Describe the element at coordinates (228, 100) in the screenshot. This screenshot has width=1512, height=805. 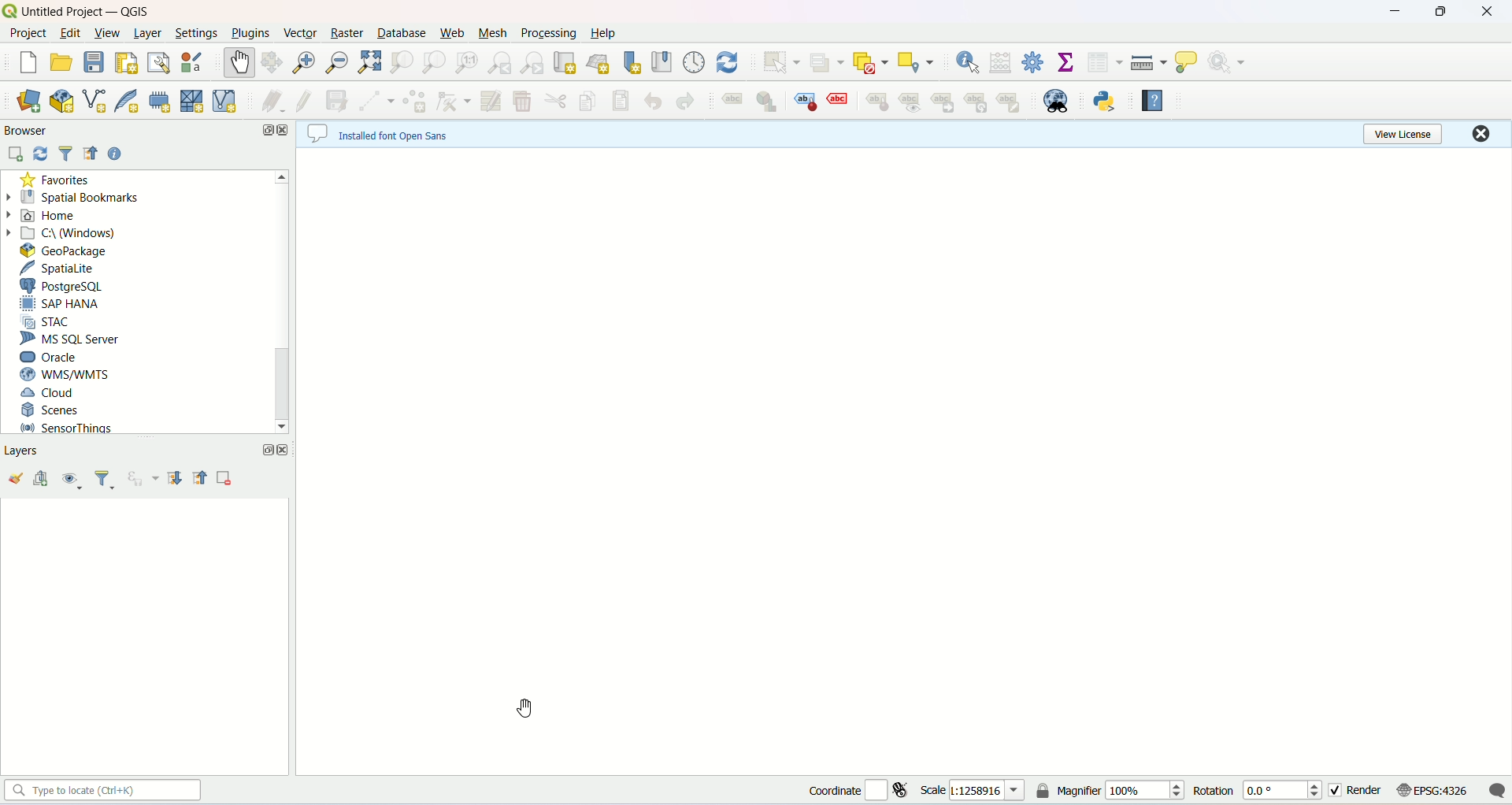
I see `new virtual layer` at that location.